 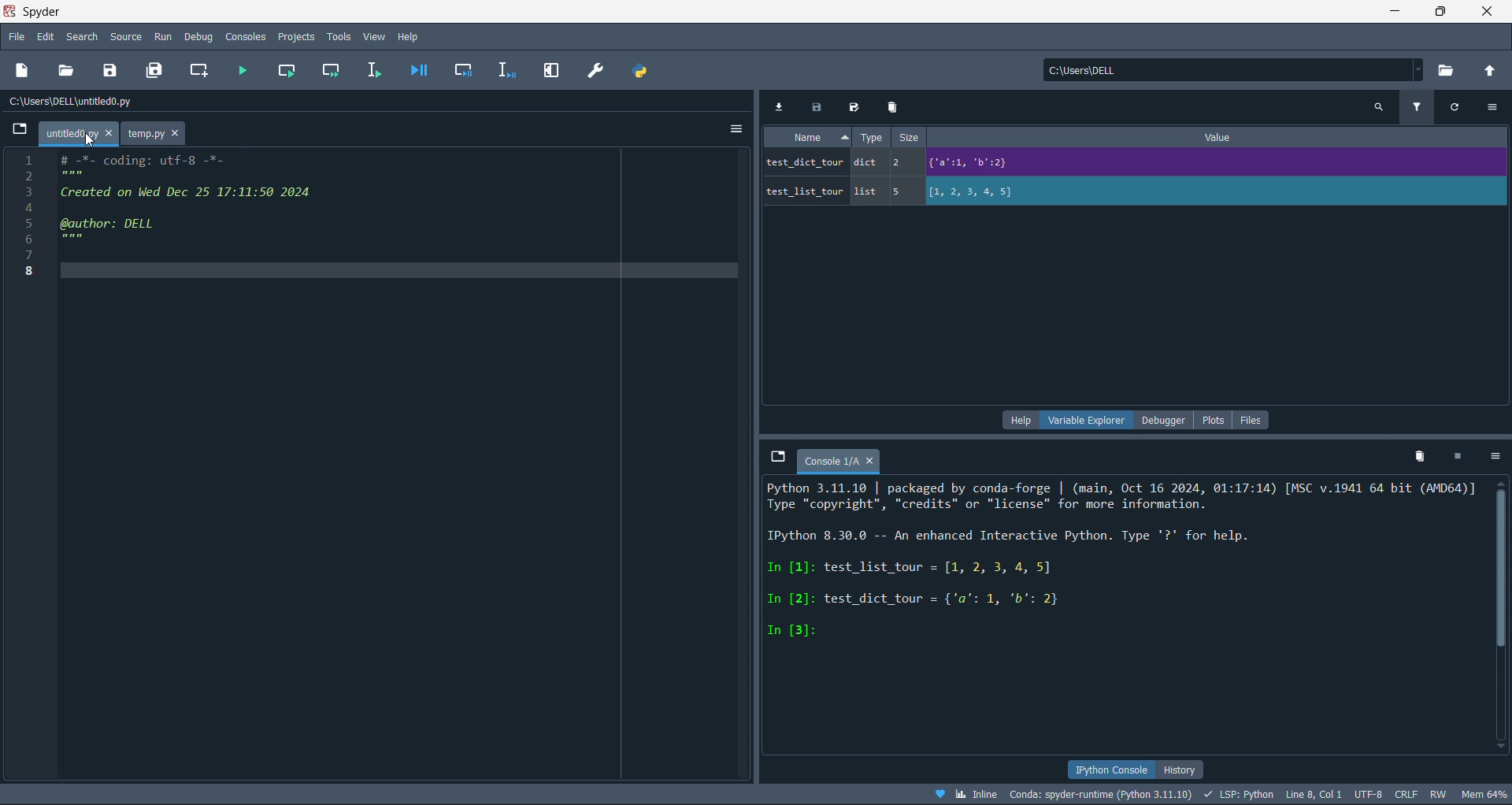 What do you see at coordinates (199, 37) in the screenshot?
I see `debug` at bounding box center [199, 37].